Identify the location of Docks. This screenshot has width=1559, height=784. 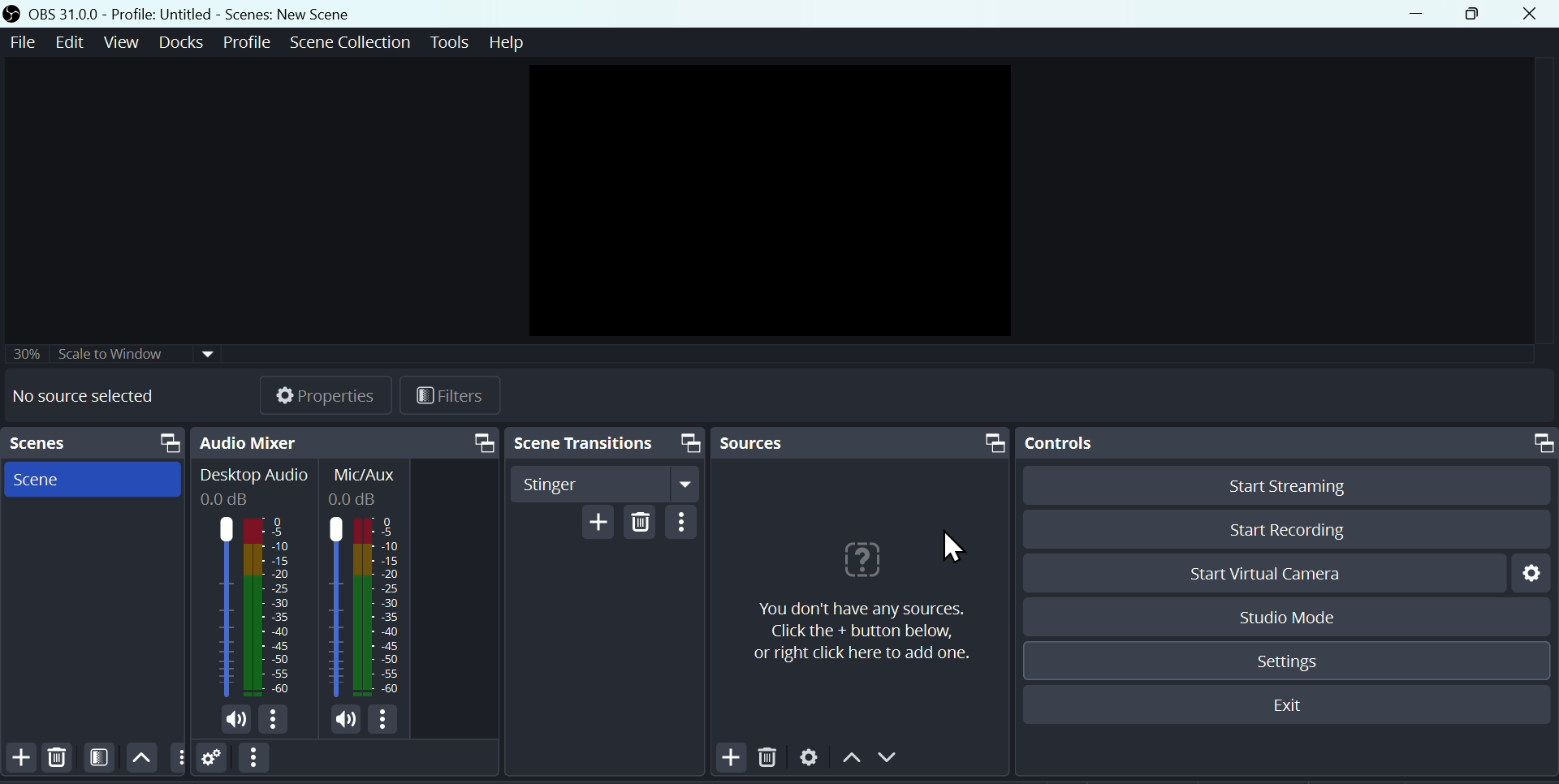
(180, 42).